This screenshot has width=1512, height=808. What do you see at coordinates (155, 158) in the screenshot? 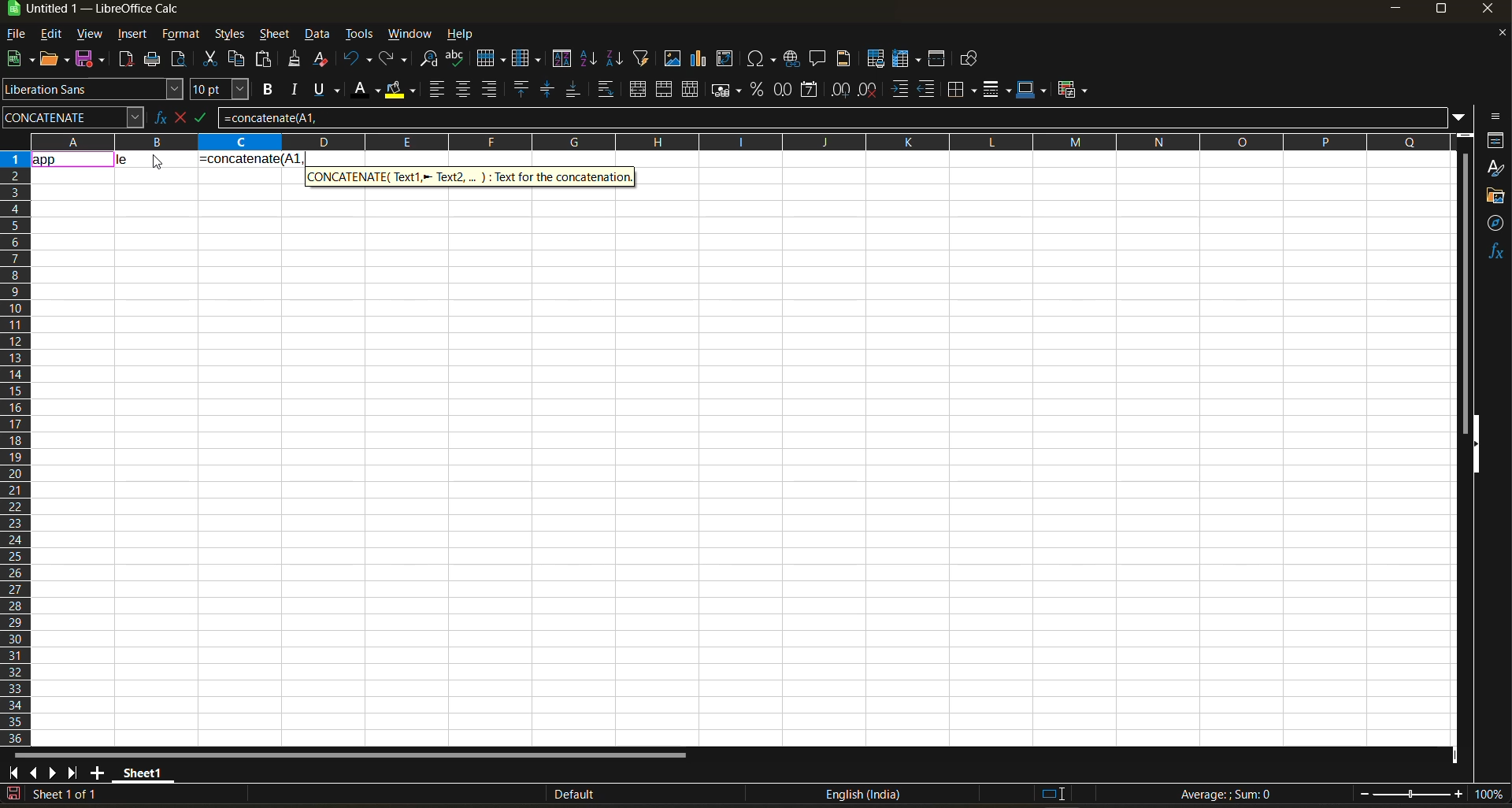
I see `data` at bounding box center [155, 158].